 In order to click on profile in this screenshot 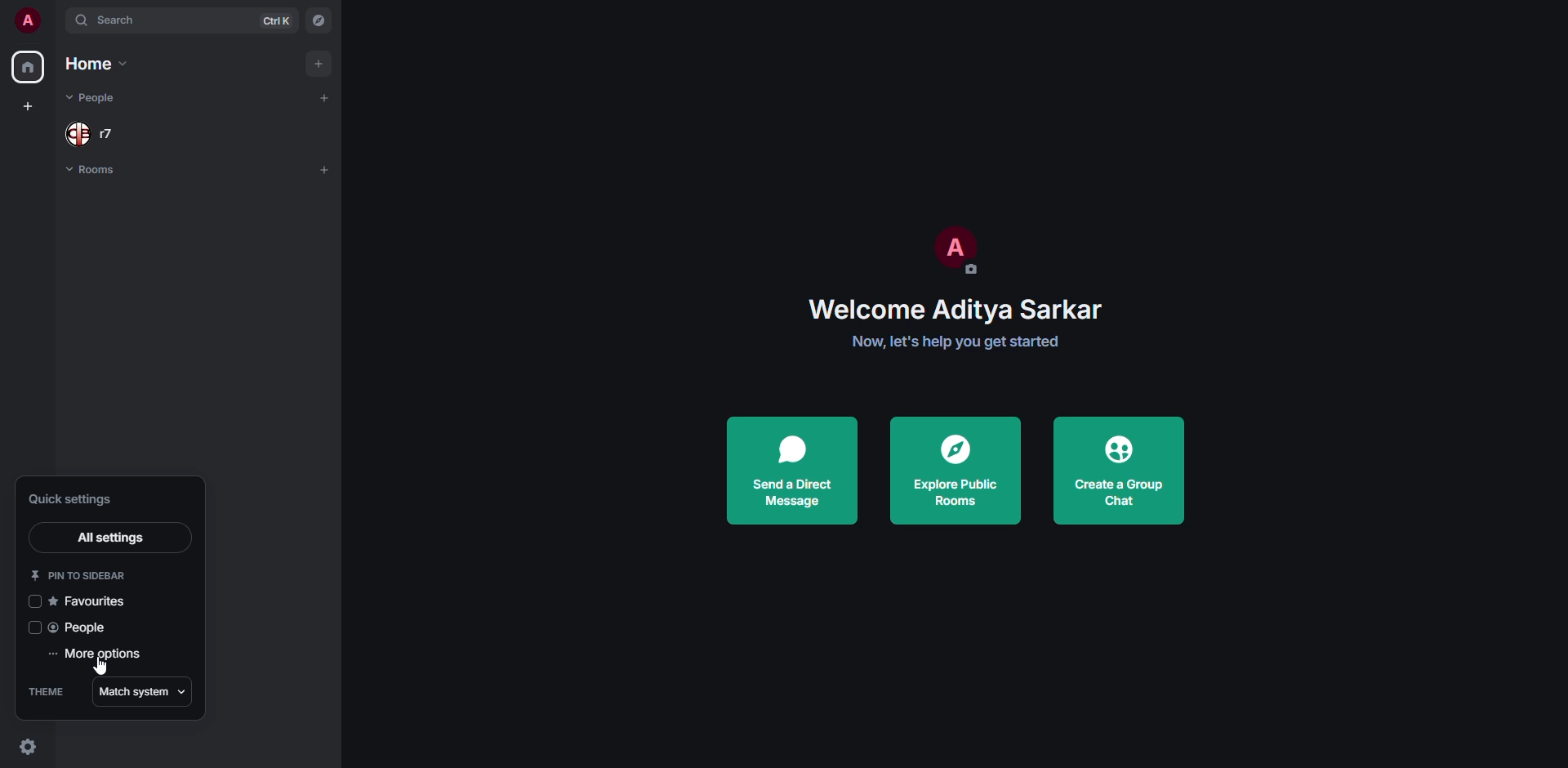, I will do `click(27, 20)`.